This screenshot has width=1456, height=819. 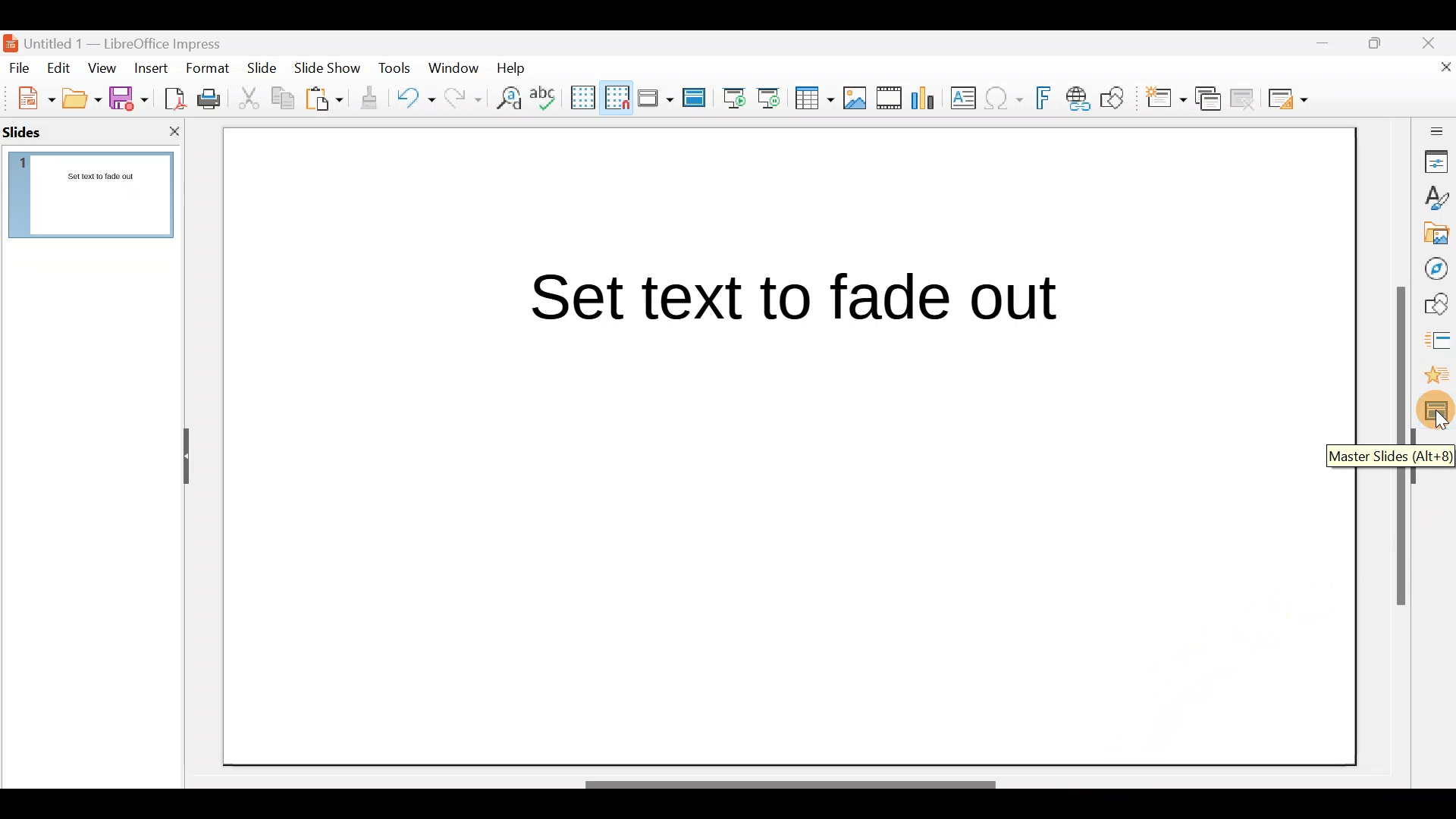 What do you see at coordinates (103, 67) in the screenshot?
I see `View` at bounding box center [103, 67].